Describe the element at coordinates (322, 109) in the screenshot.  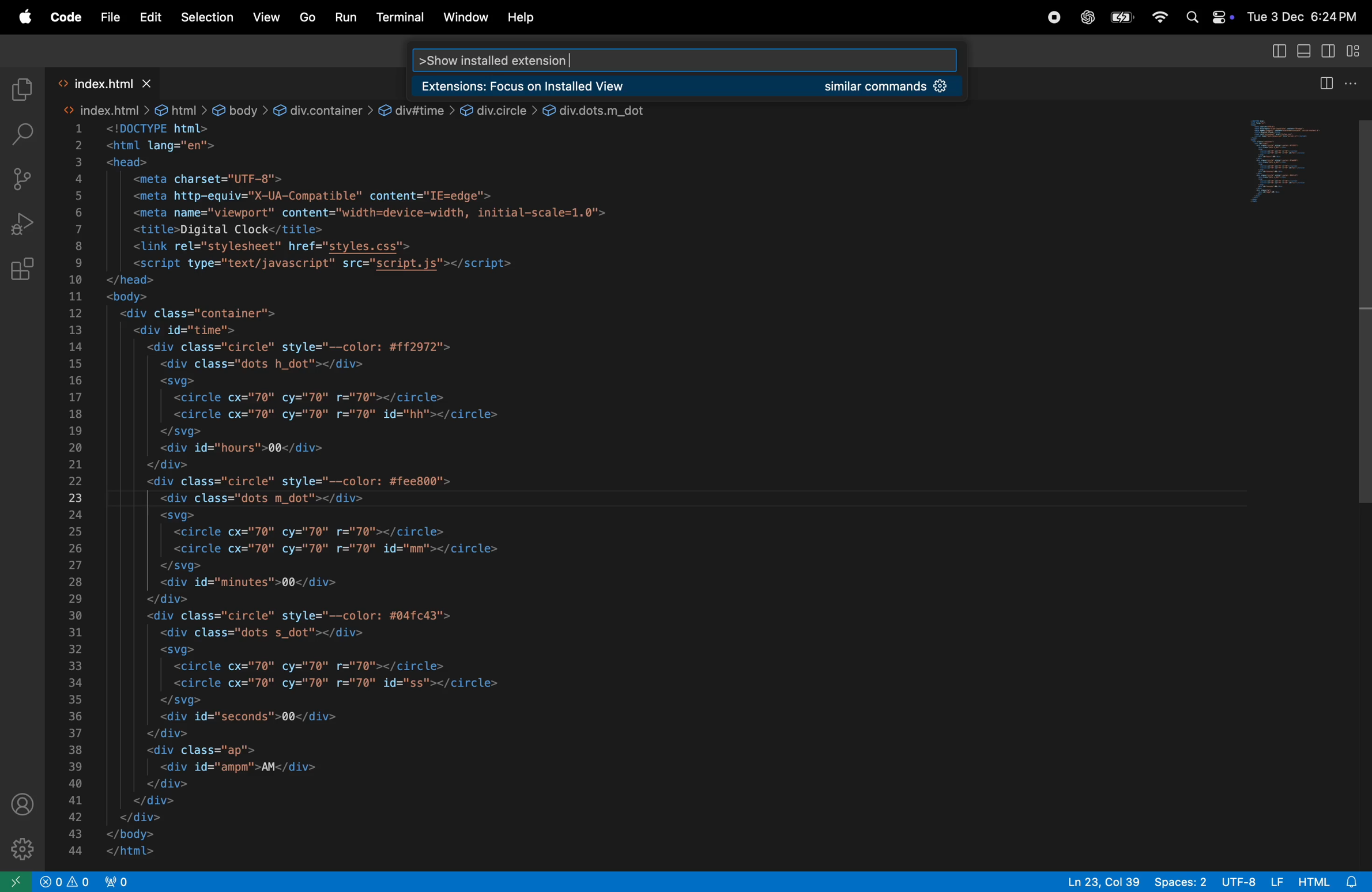
I see `div.container` at that location.